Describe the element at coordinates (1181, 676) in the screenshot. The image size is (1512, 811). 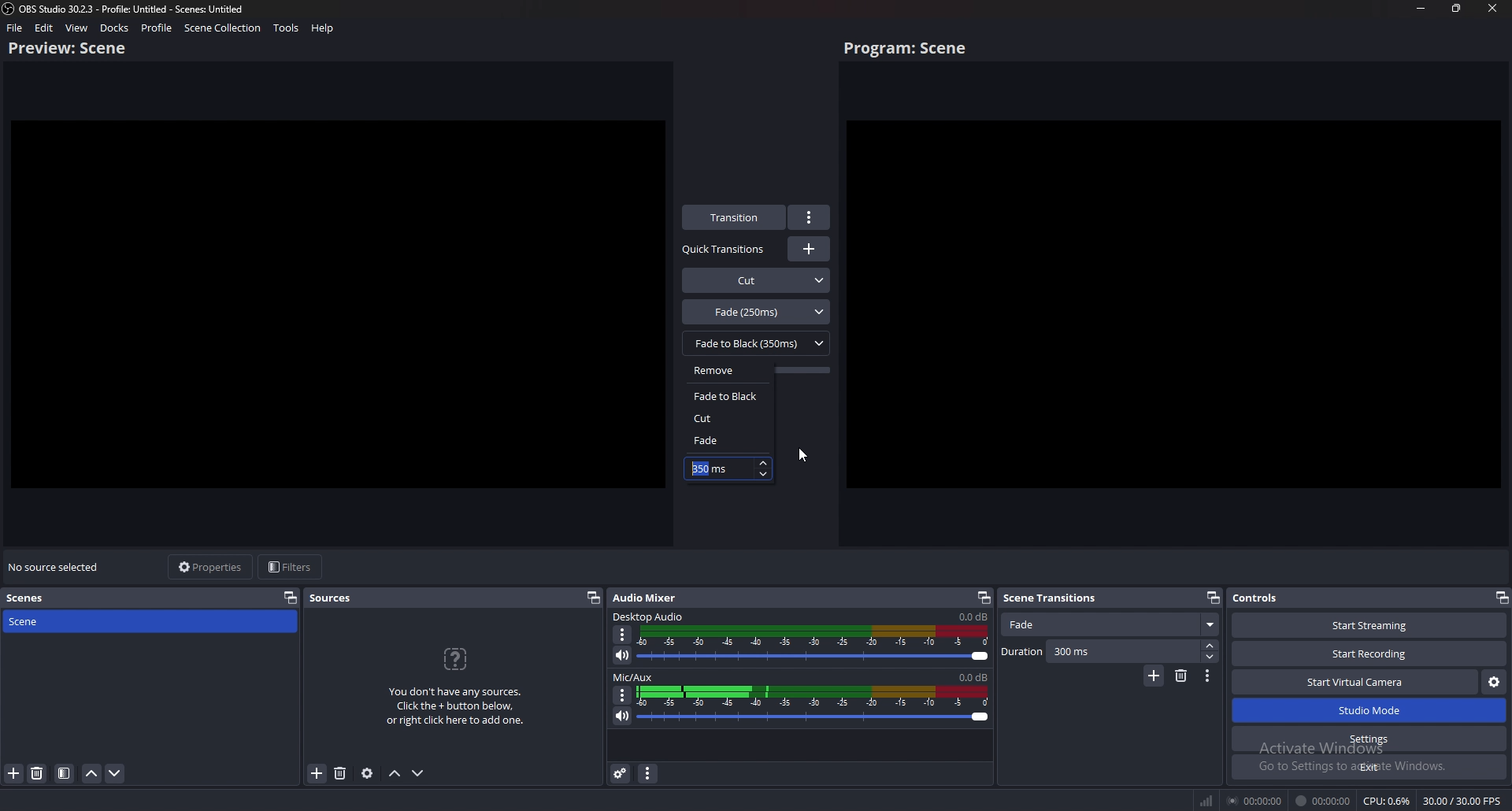
I see `Delete scene transitions` at that location.